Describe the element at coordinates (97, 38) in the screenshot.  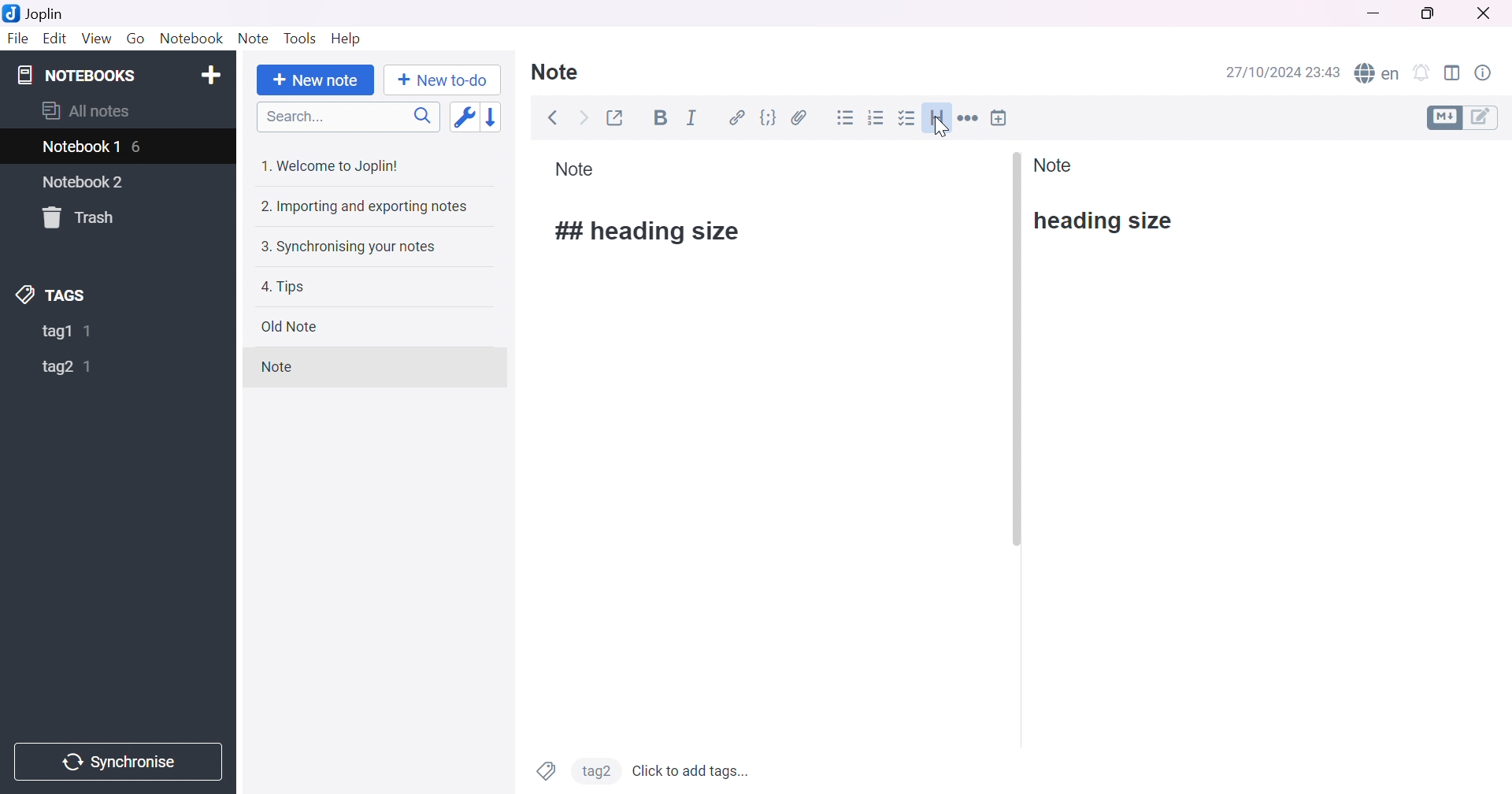
I see `View` at that location.